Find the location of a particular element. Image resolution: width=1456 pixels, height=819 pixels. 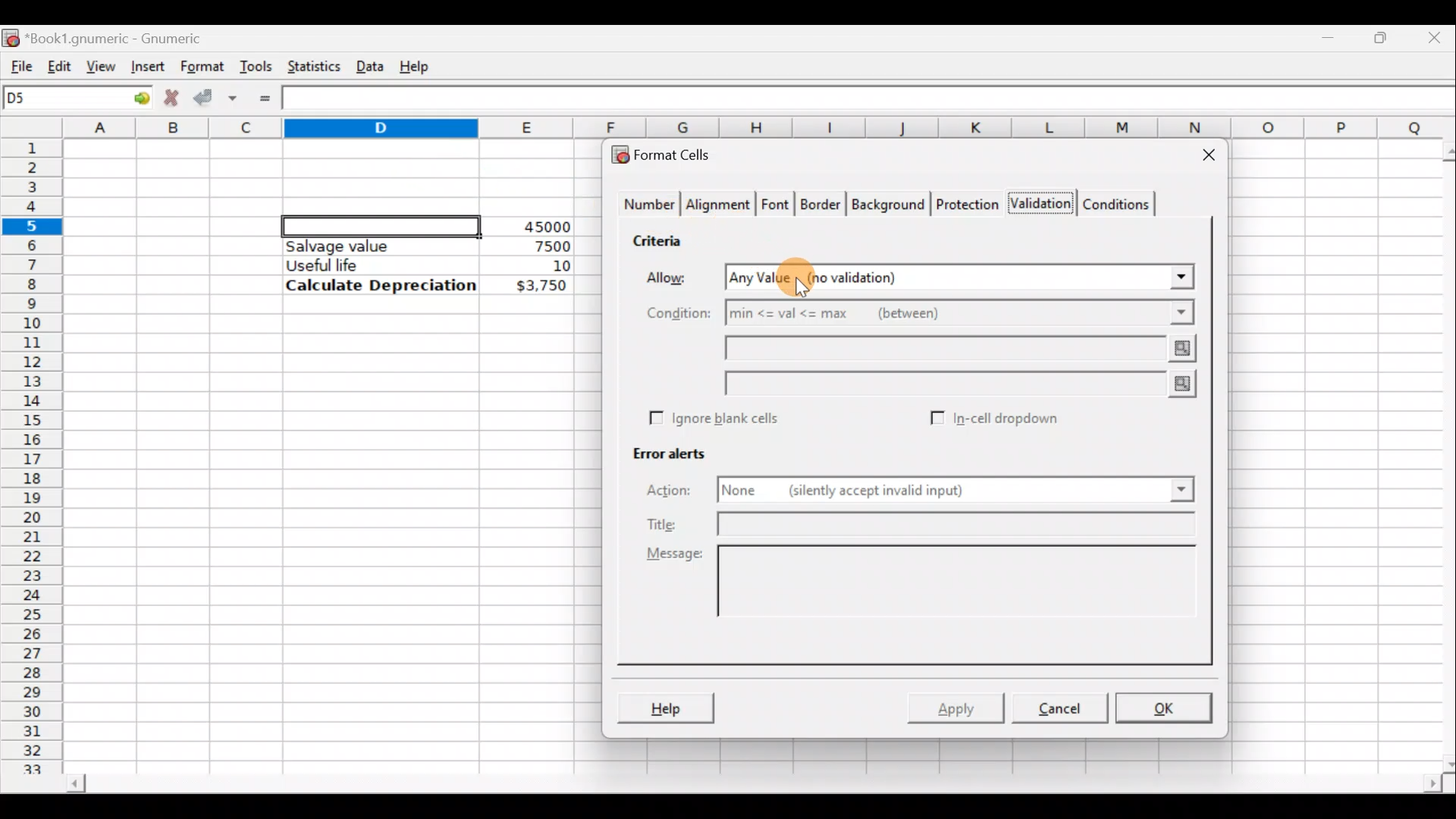

Formula bar is located at coordinates (873, 100).